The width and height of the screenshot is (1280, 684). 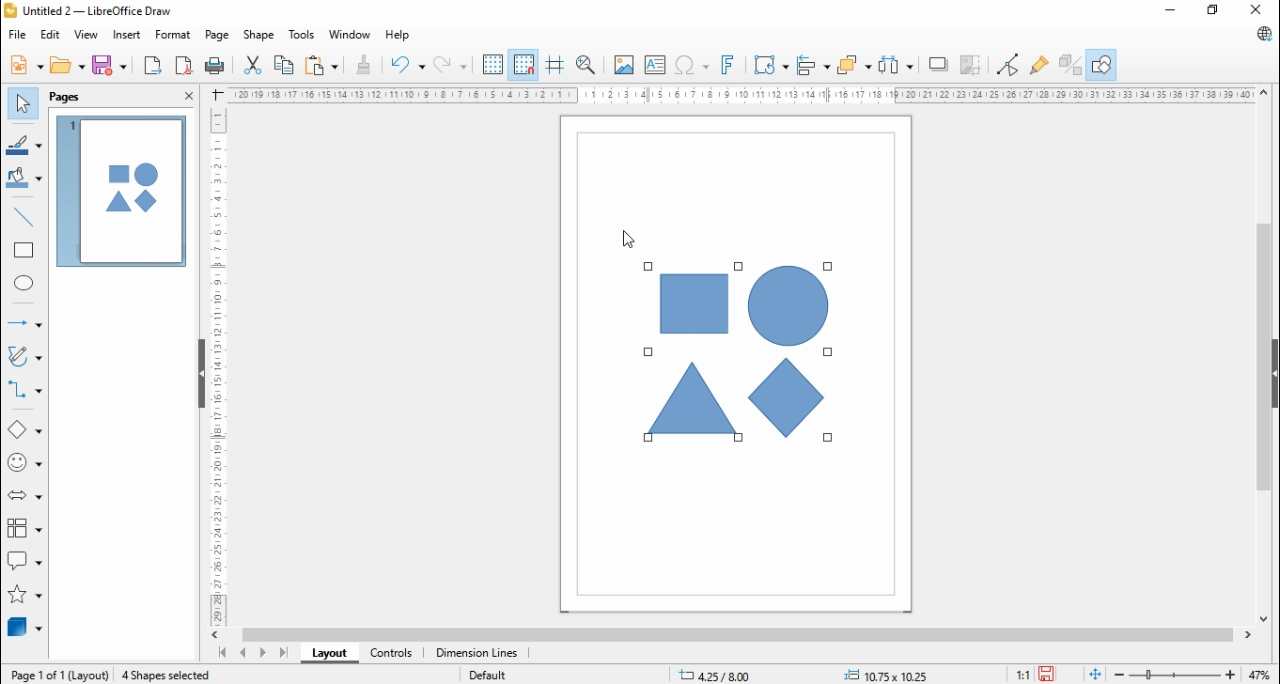 What do you see at coordinates (627, 237) in the screenshot?
I see `mouse pointer` at bounding box center [627, 237].